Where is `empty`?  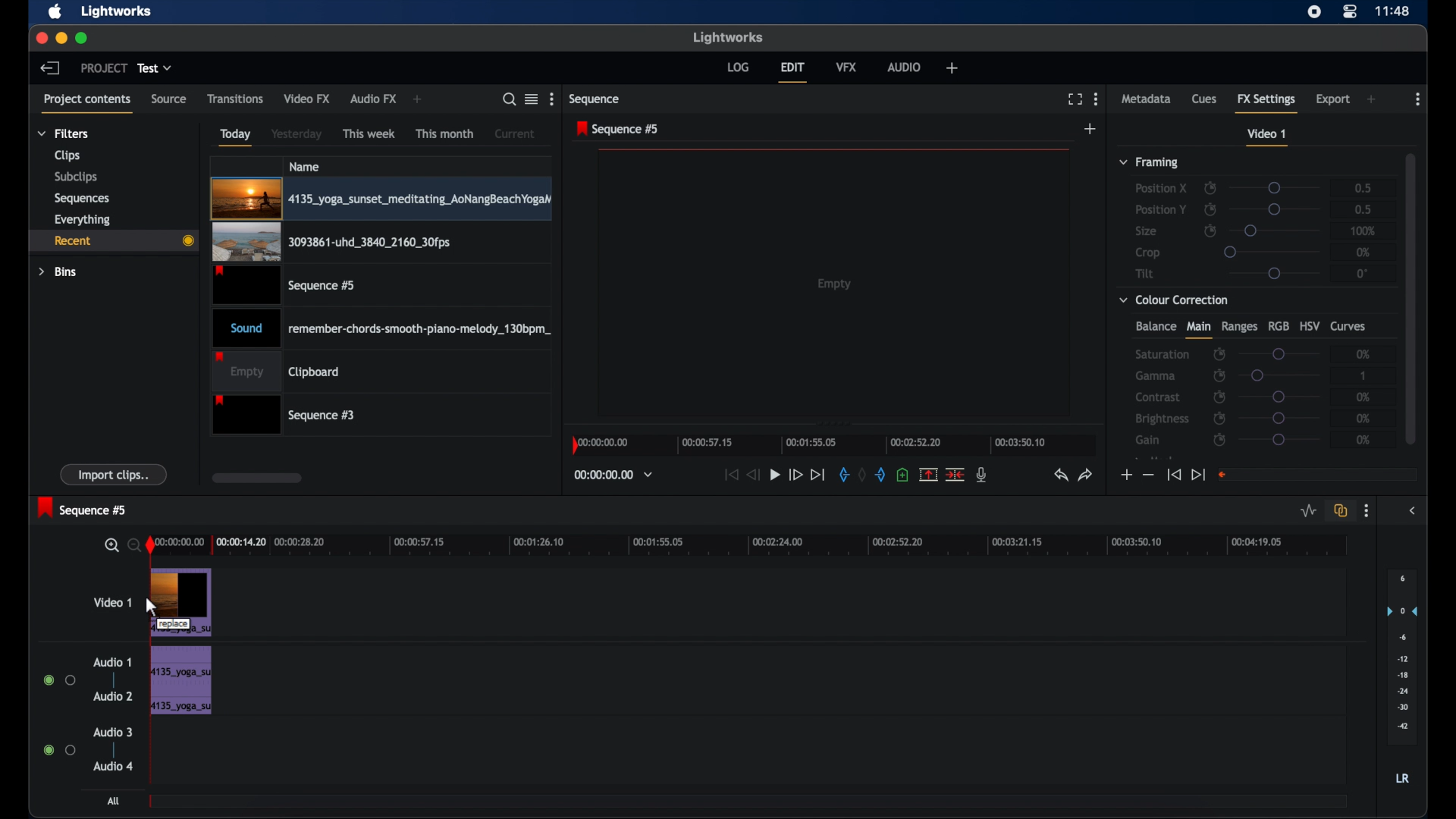 empty is located at coordinates (836, 284).